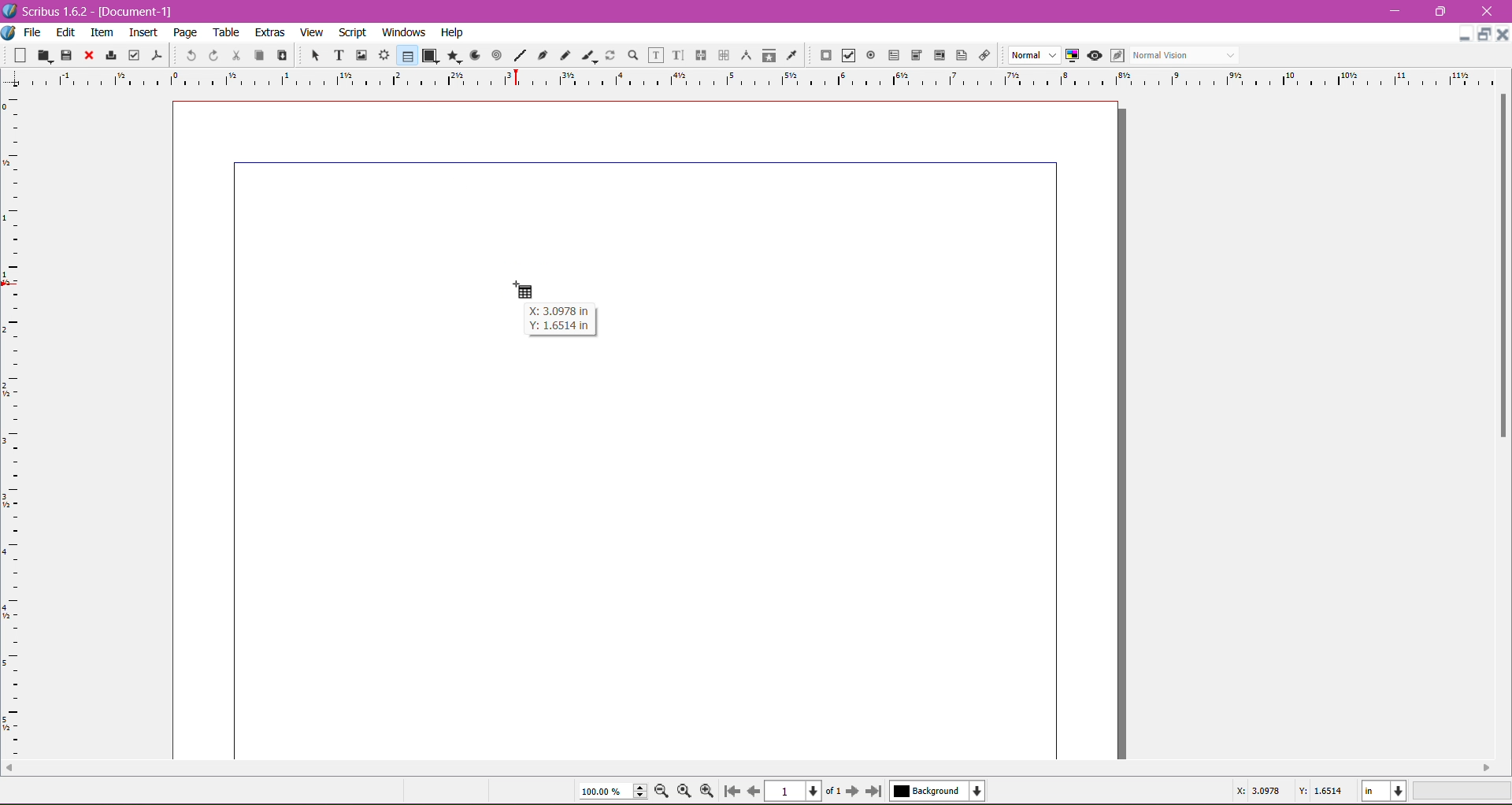  Describe the element at coordinates (211, 55) in the screenshot. I see `Redo` at that location.